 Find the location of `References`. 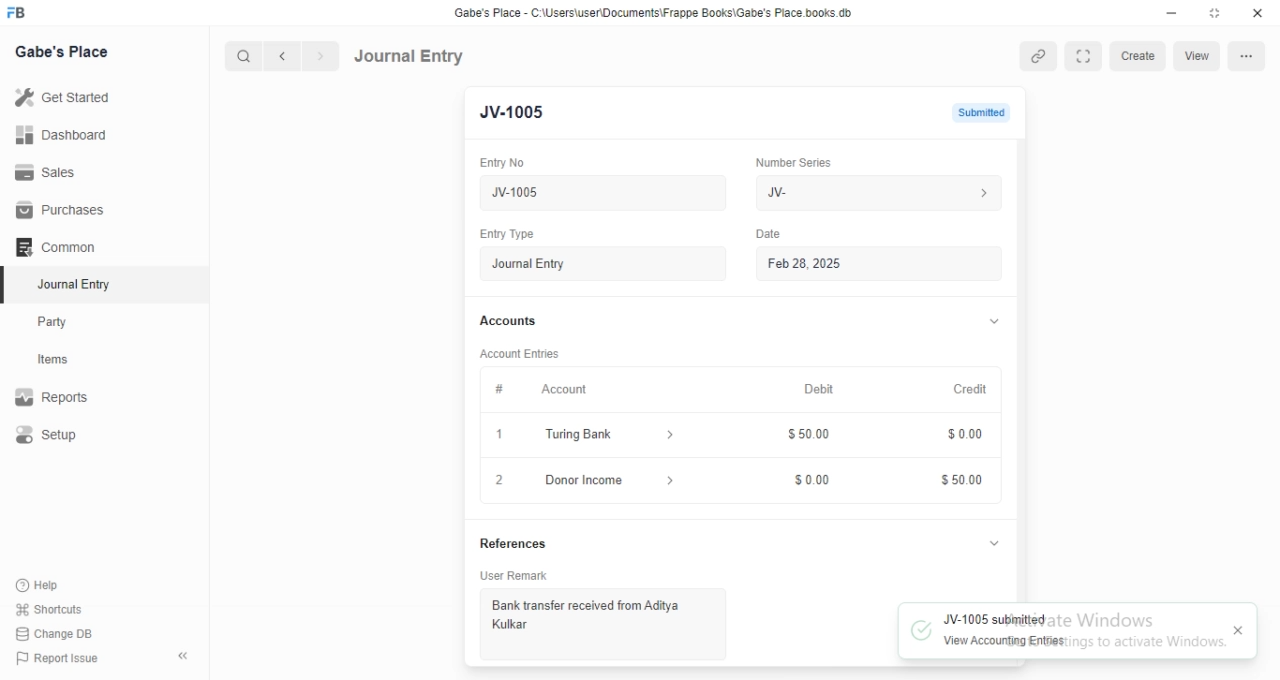

References is located at coordinates (514, 543).